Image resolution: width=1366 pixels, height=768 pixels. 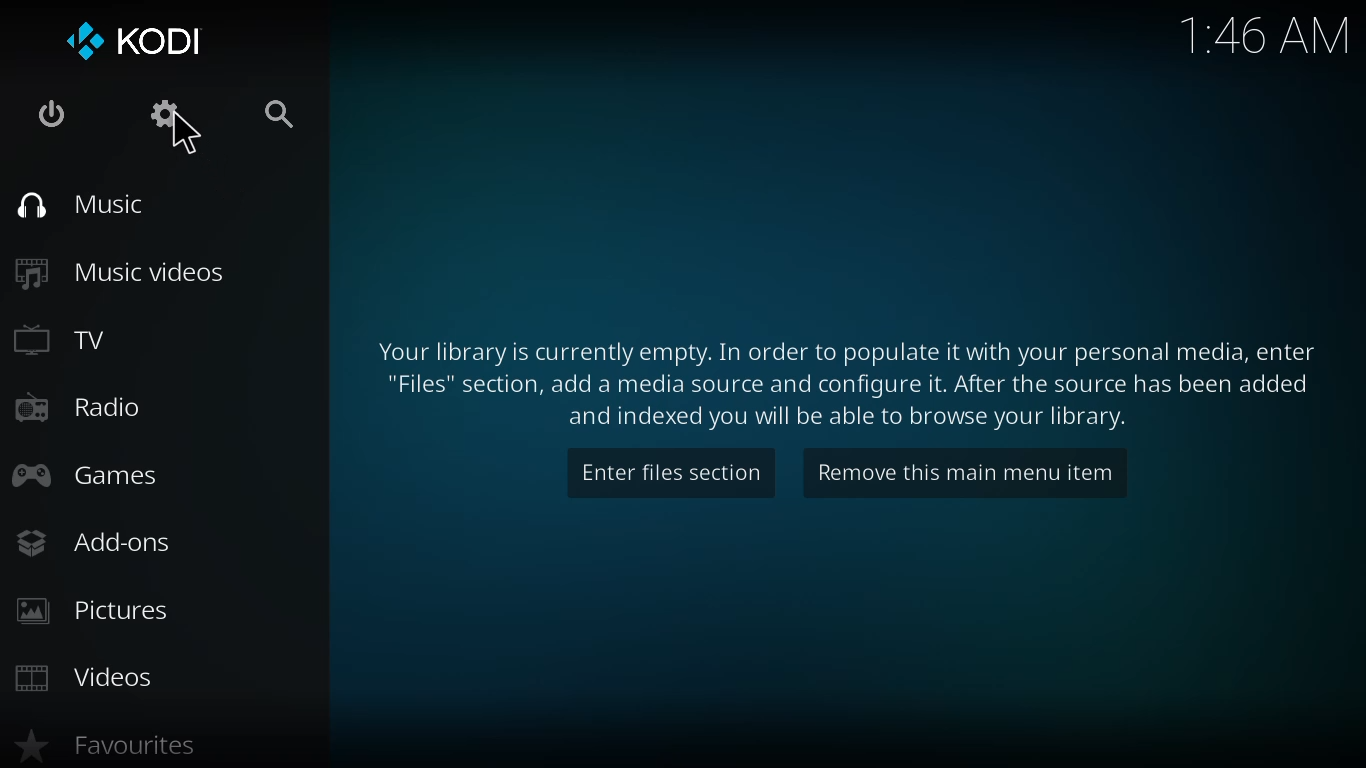 I want to click on kodi, so click(x=135, y=40).